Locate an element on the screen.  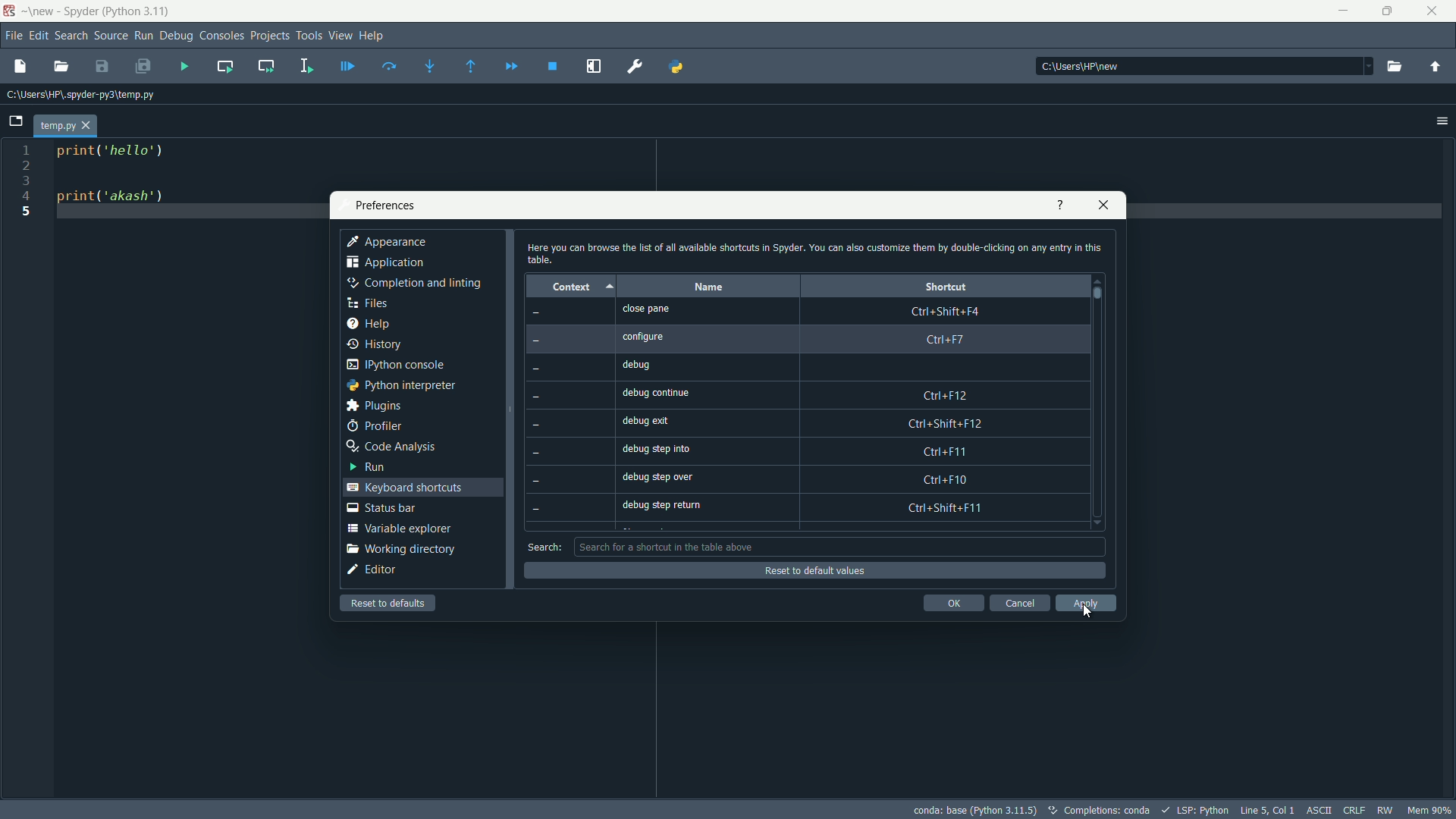
minimize is located at coordinates (1343, 11).